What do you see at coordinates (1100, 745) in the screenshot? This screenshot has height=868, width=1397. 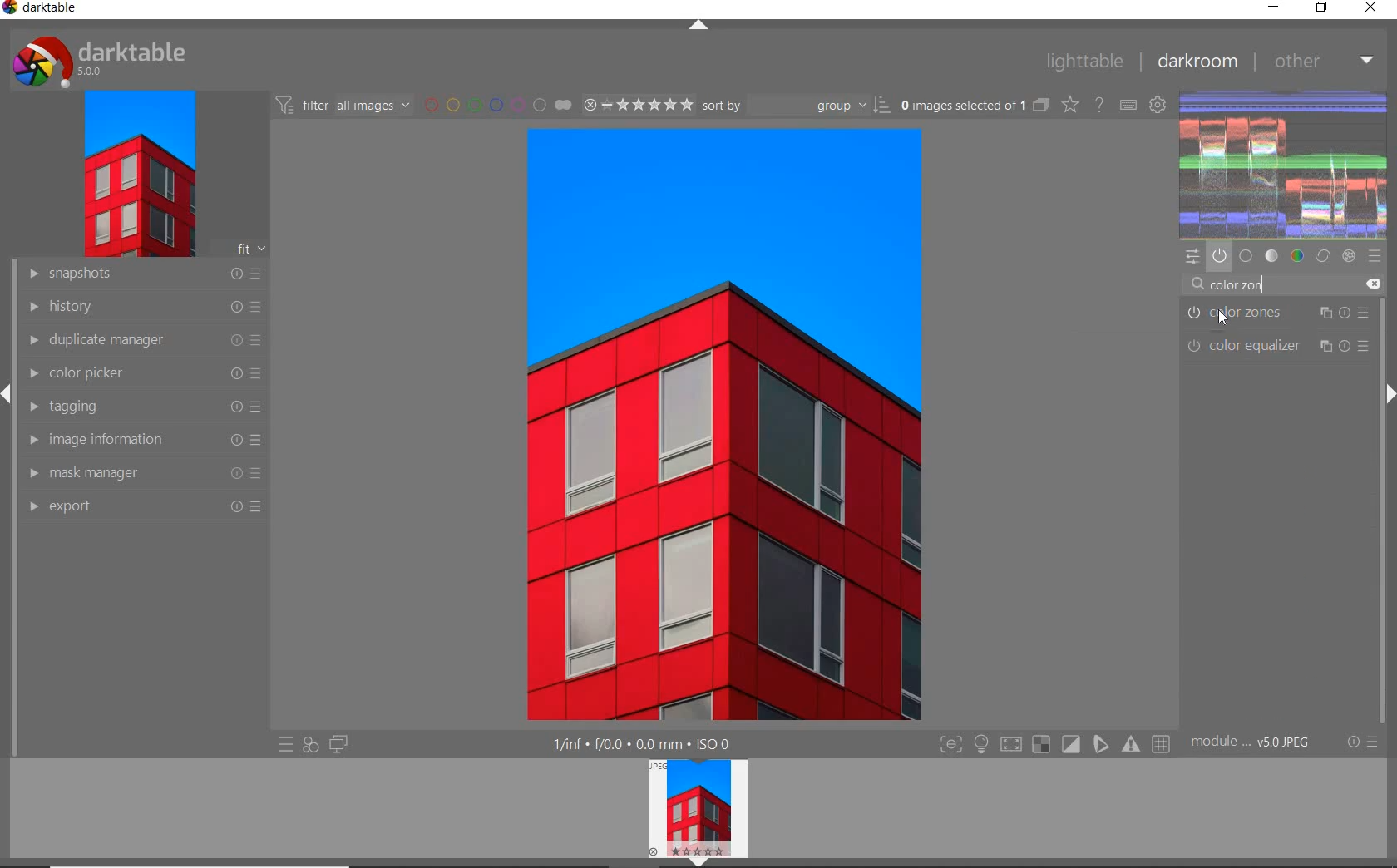 I see `guides overlay` at bounding box center [1100, 745].